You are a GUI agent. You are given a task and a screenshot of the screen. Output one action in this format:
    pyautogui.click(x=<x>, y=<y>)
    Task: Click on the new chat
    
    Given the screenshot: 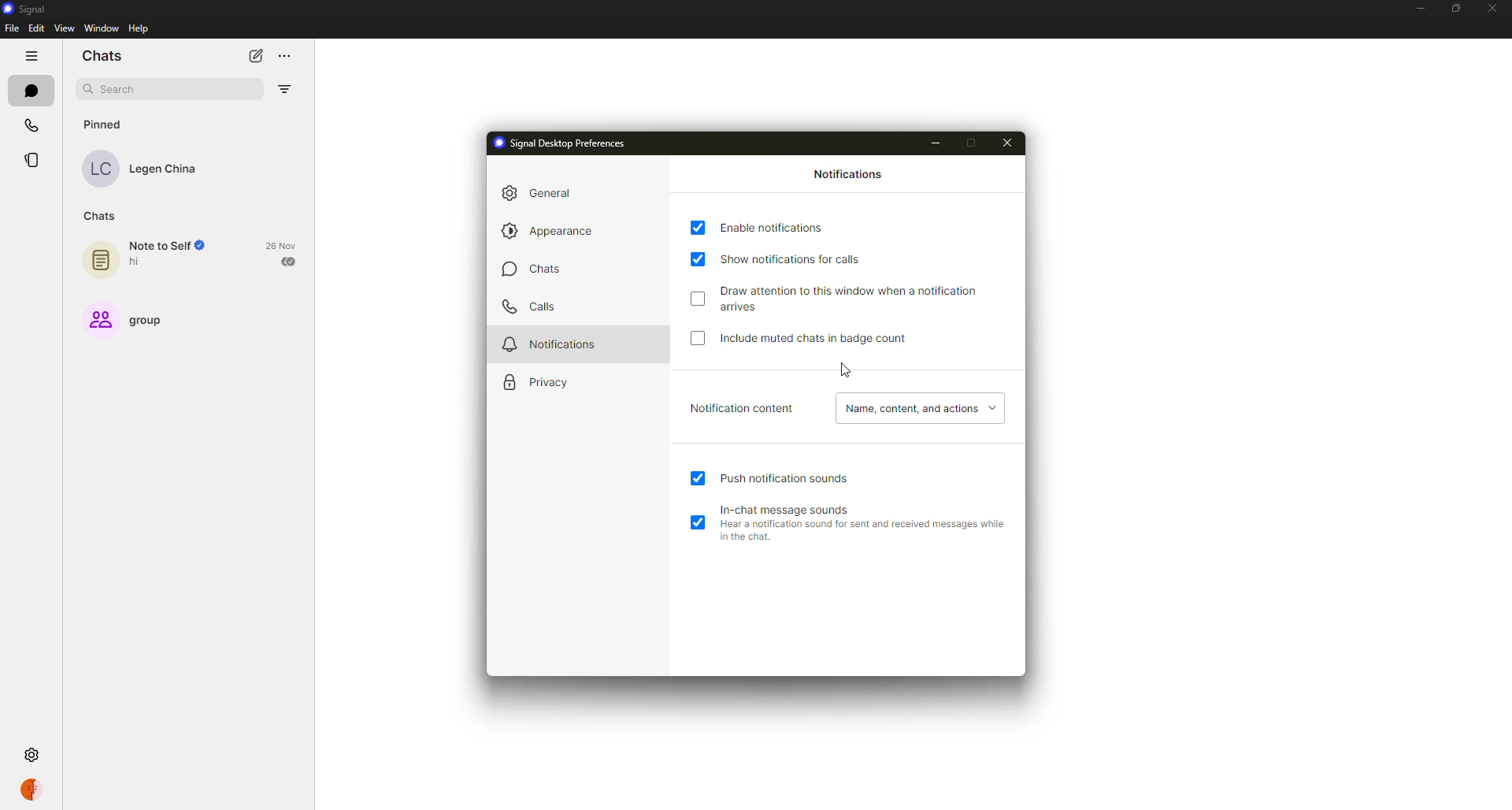 What is the action you would take?
    pyautogui.click(x=252, y=55)
    